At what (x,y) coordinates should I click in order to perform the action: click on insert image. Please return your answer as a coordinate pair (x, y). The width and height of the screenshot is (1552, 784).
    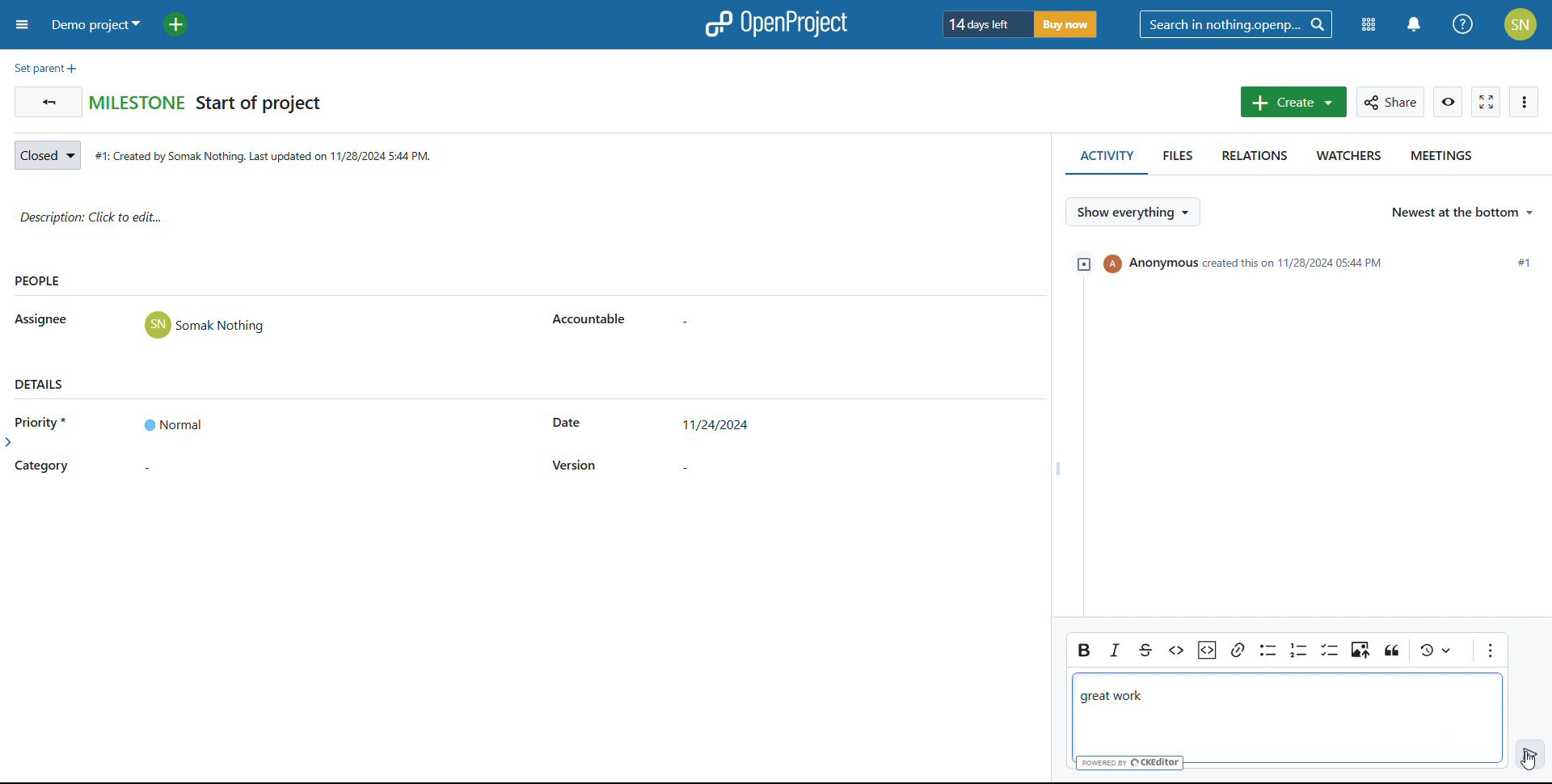
    Looking at the image, I should click on (1361, 651).